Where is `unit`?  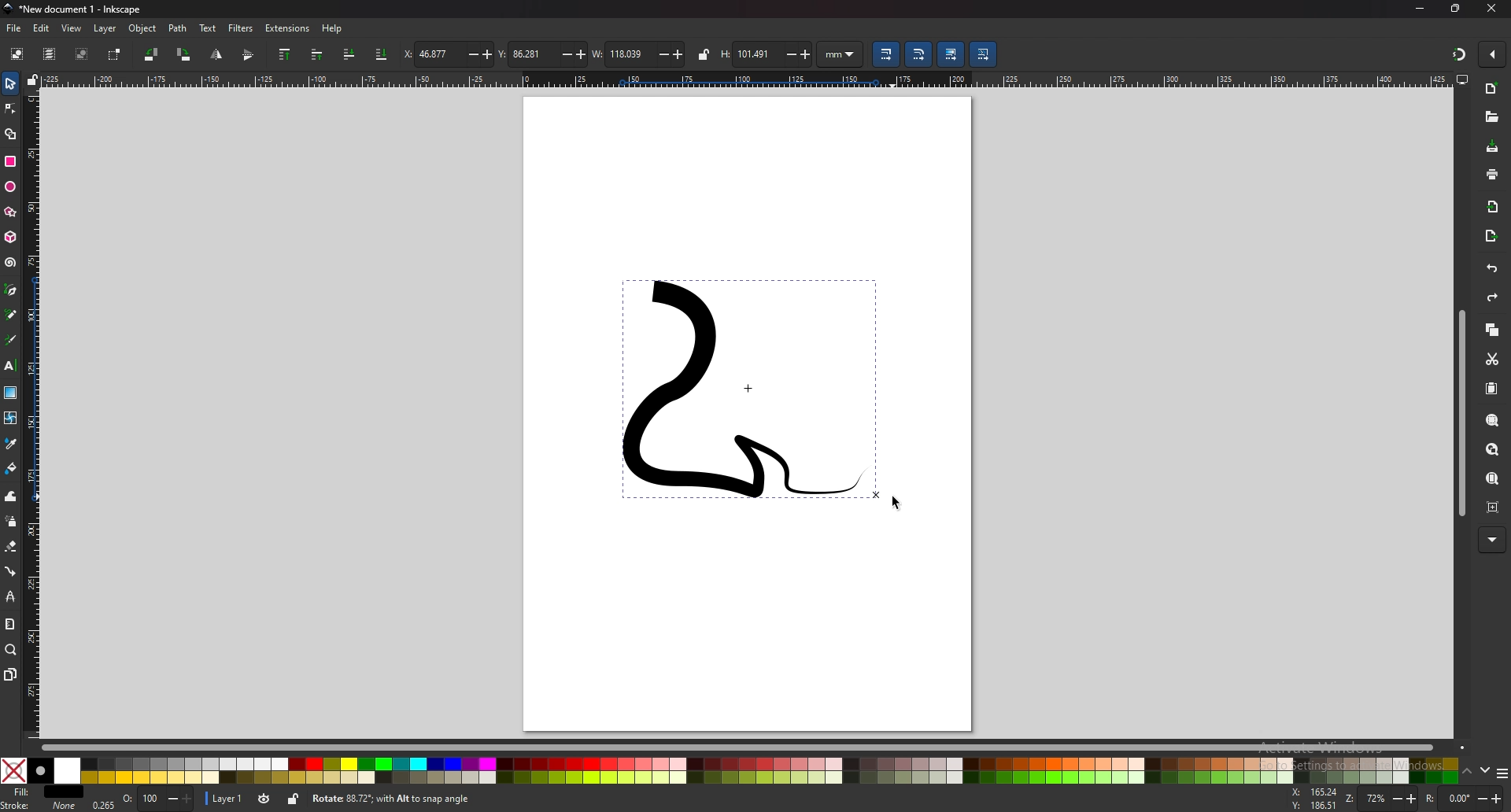
unit is located at coordinates (840, 55).